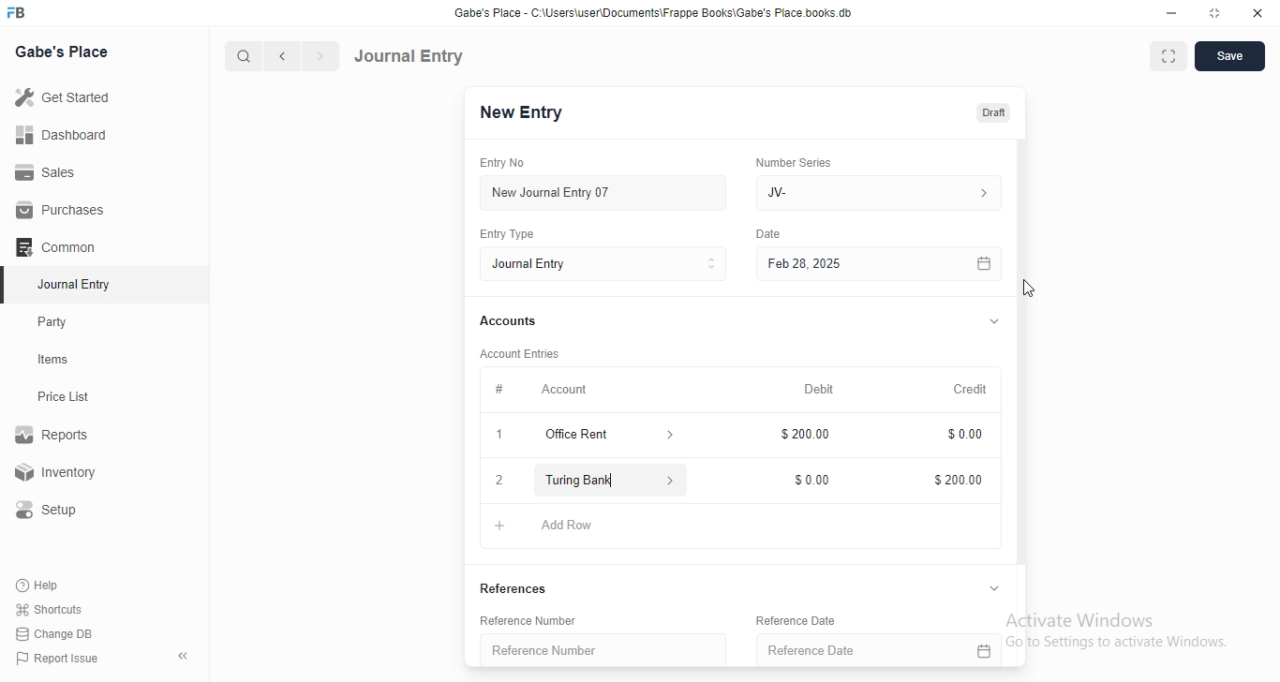 This screenshot has height=682, width=1280. I want to click on reference date, so click(805, 650).